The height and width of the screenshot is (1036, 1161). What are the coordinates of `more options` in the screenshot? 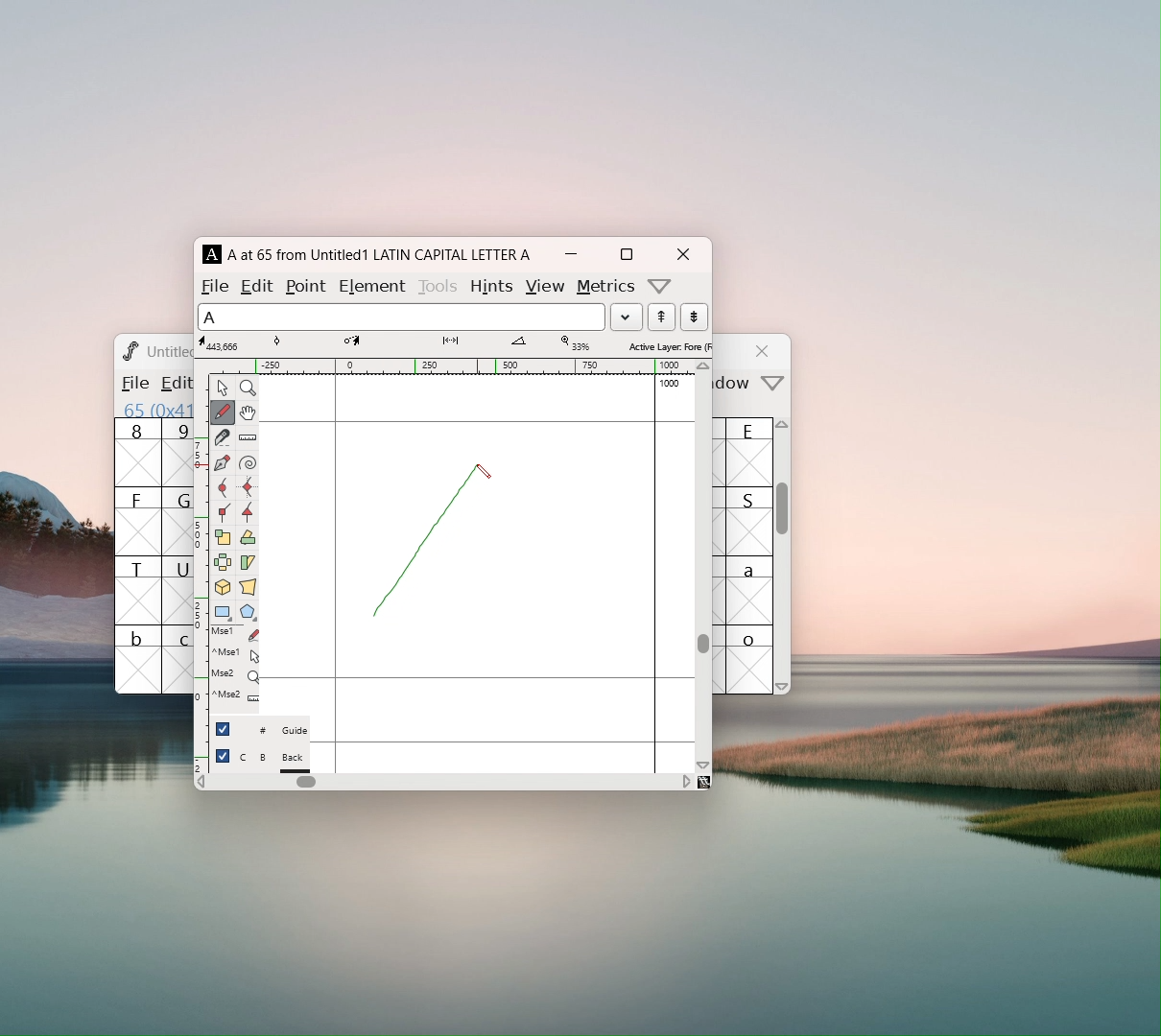 It's located at (660, 286).